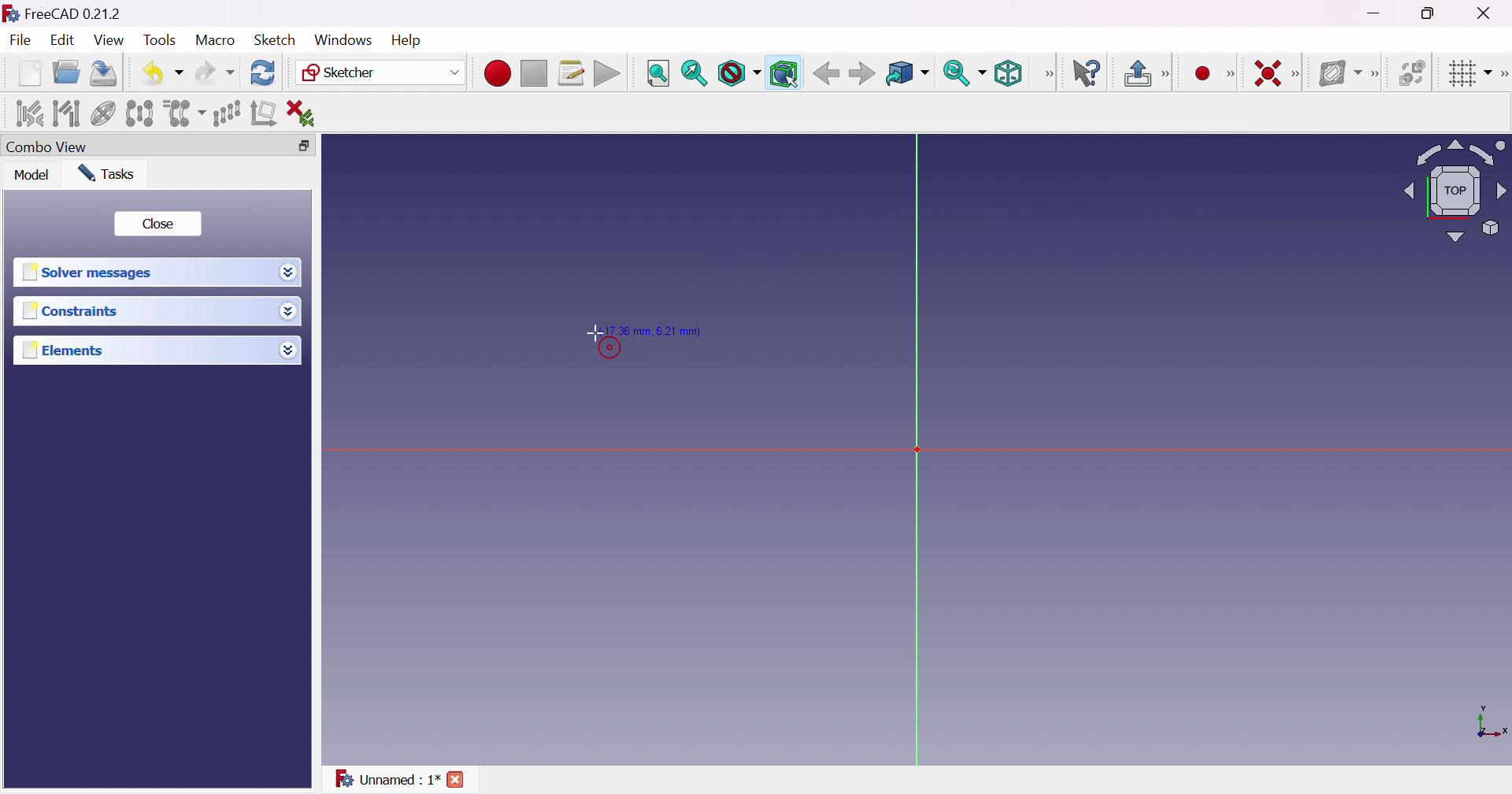 The width and height of the screenshot is (1512, 794). I want to click on Model, so click(33, 176).